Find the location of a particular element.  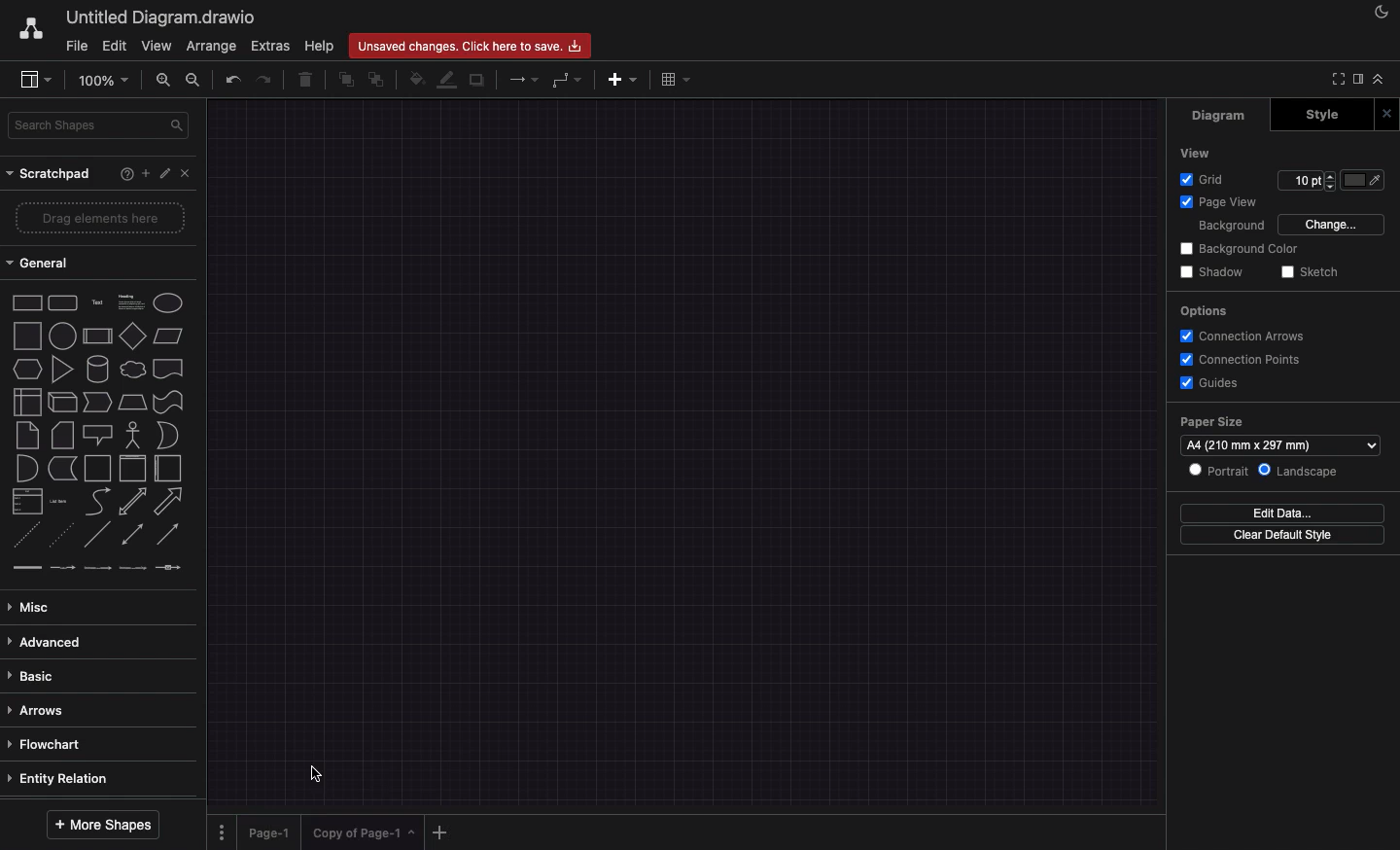

landscape is located at coordinates (1298, 472).